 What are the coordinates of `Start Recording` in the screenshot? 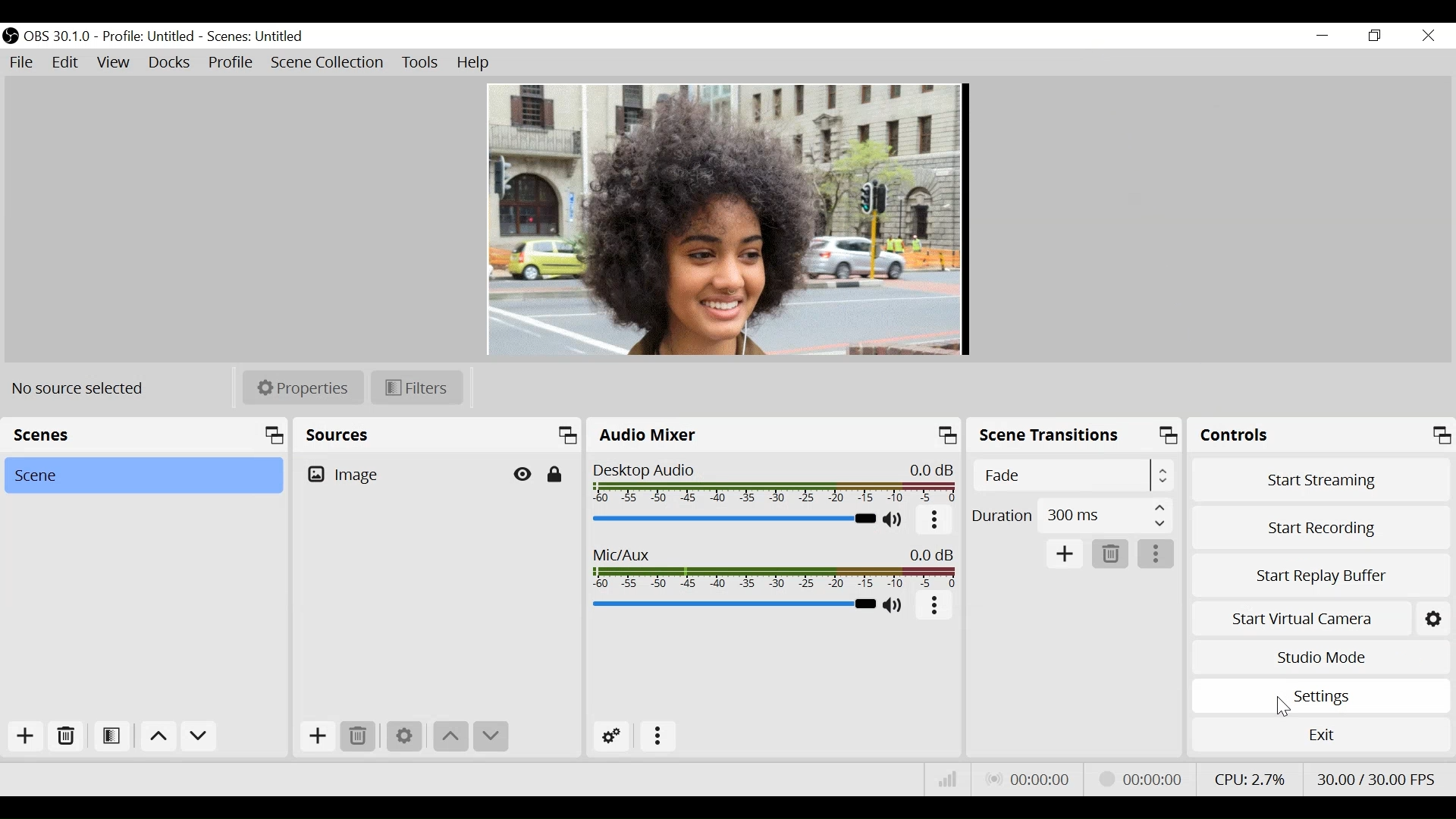 It's located at (1322, 526).